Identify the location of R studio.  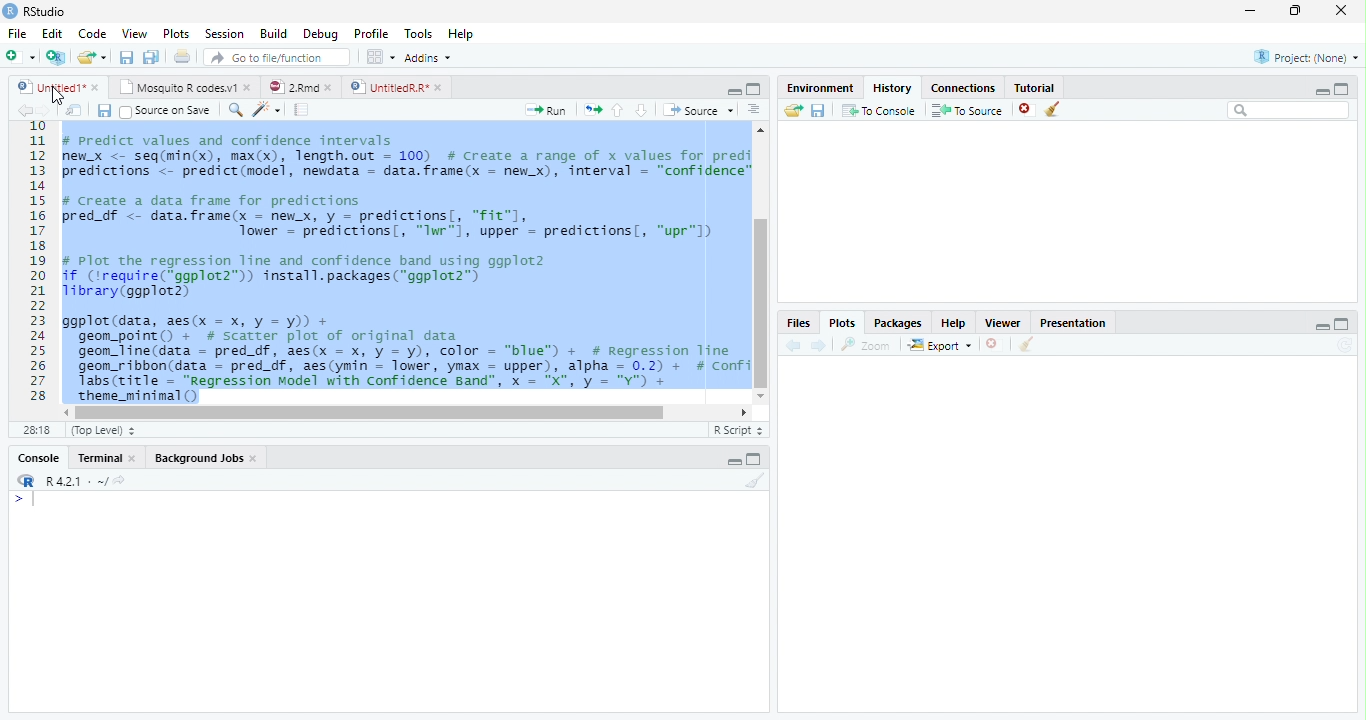
(38, 11).